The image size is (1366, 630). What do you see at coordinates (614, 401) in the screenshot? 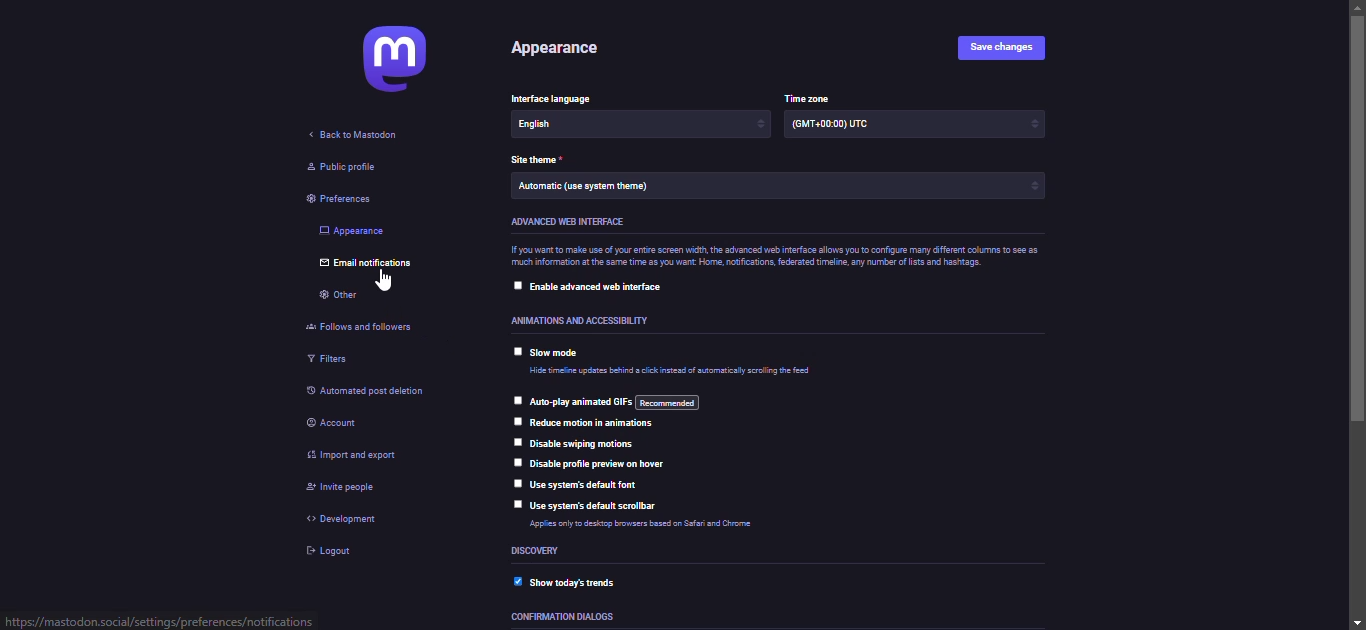
I see `auto play animated gif's` at bounding box center [614, 401].